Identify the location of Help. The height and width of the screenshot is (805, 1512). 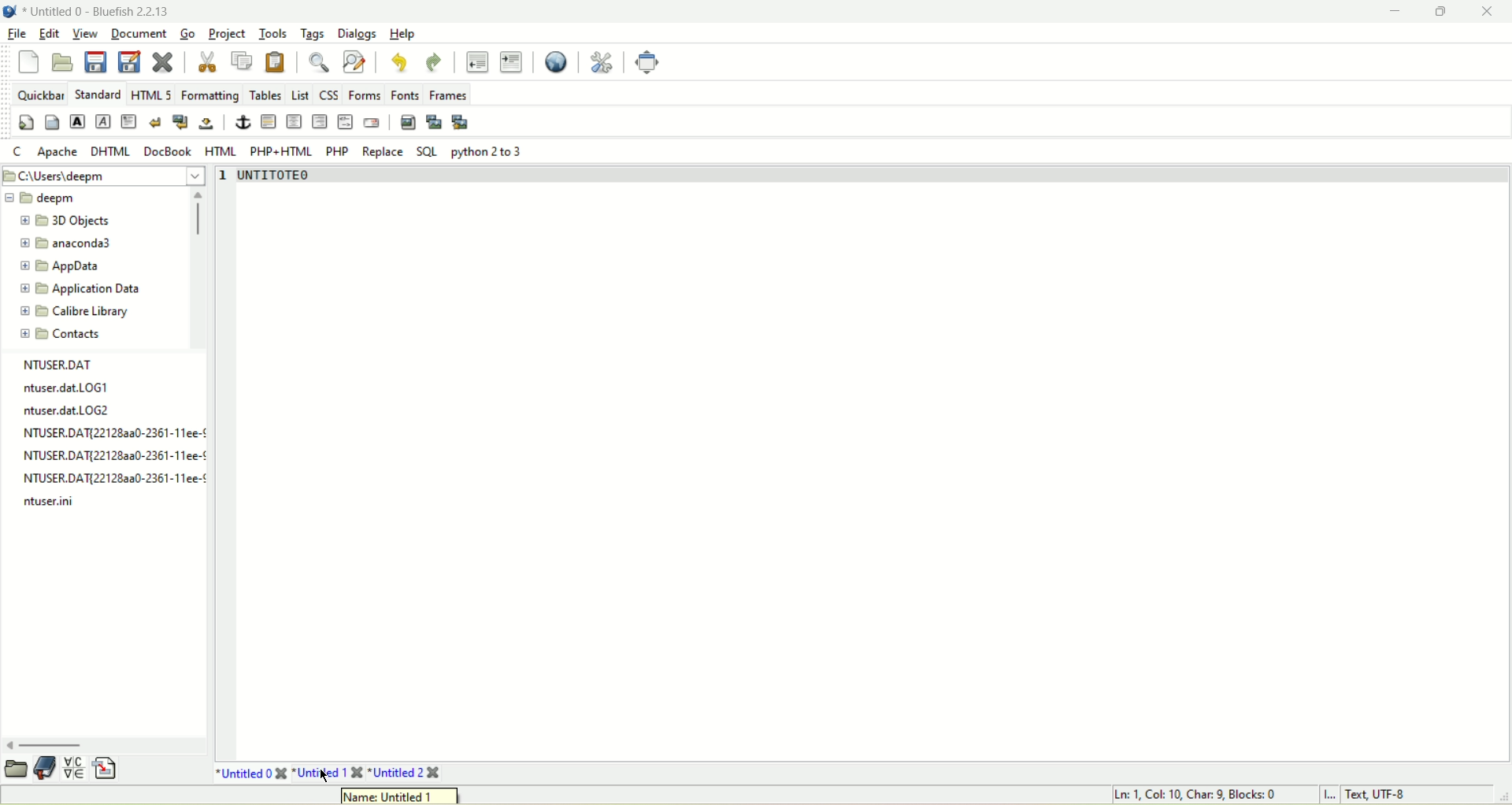
(402, 32).